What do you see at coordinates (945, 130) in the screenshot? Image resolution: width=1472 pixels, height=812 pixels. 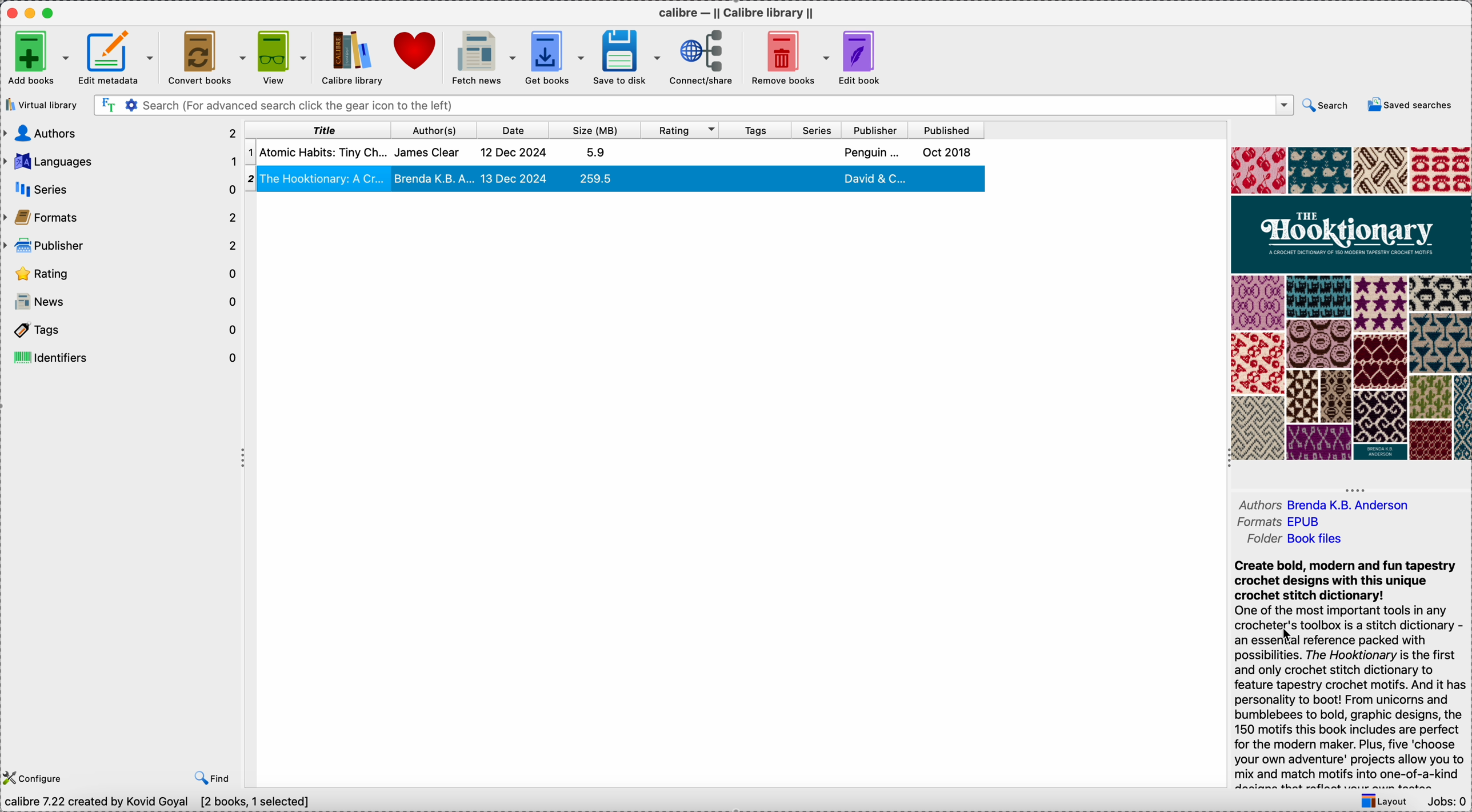 I see `published` at bounding box center [945, 130].